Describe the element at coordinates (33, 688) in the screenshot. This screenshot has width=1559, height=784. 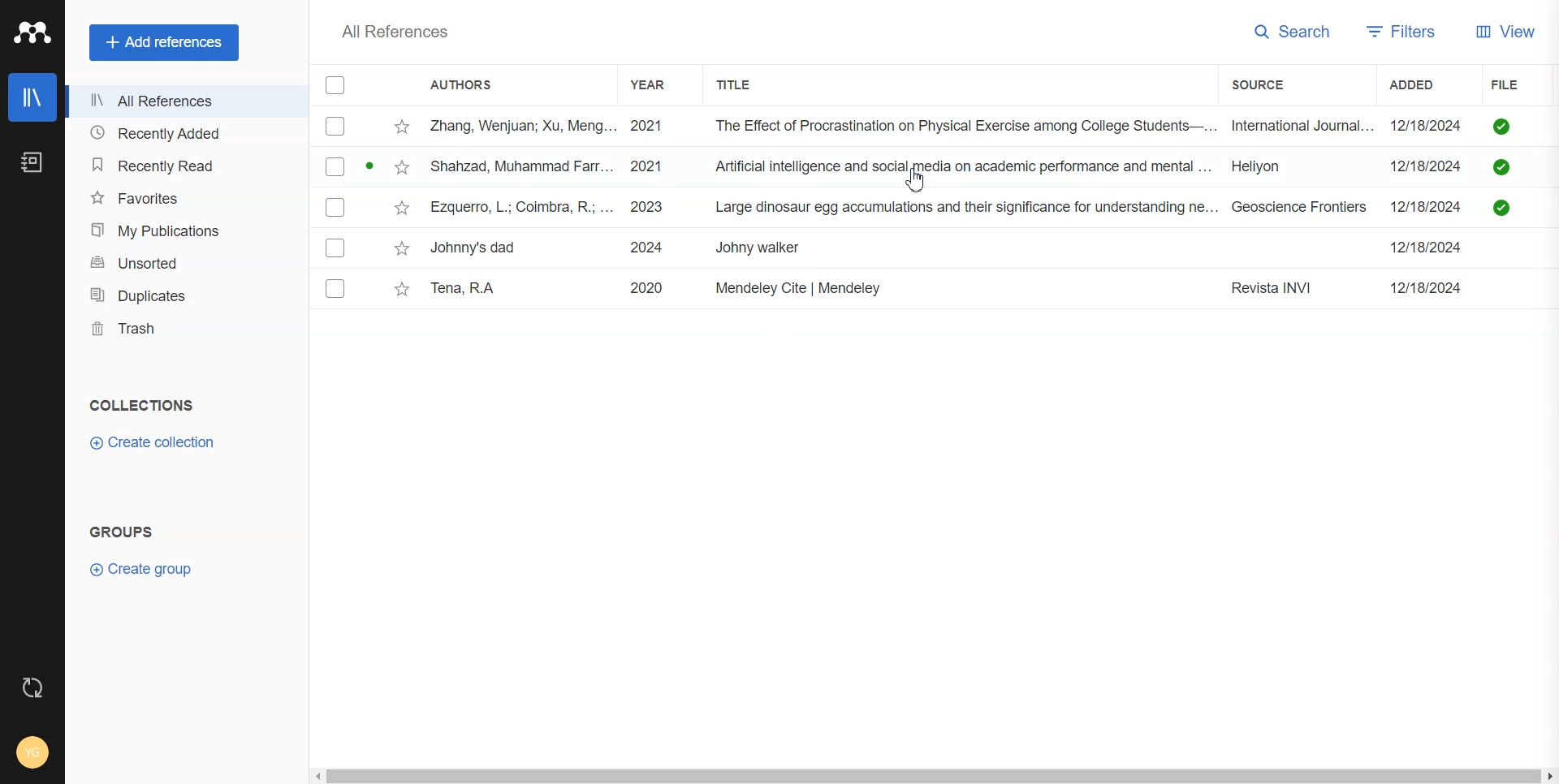
I see `Auto Sync` at that location.